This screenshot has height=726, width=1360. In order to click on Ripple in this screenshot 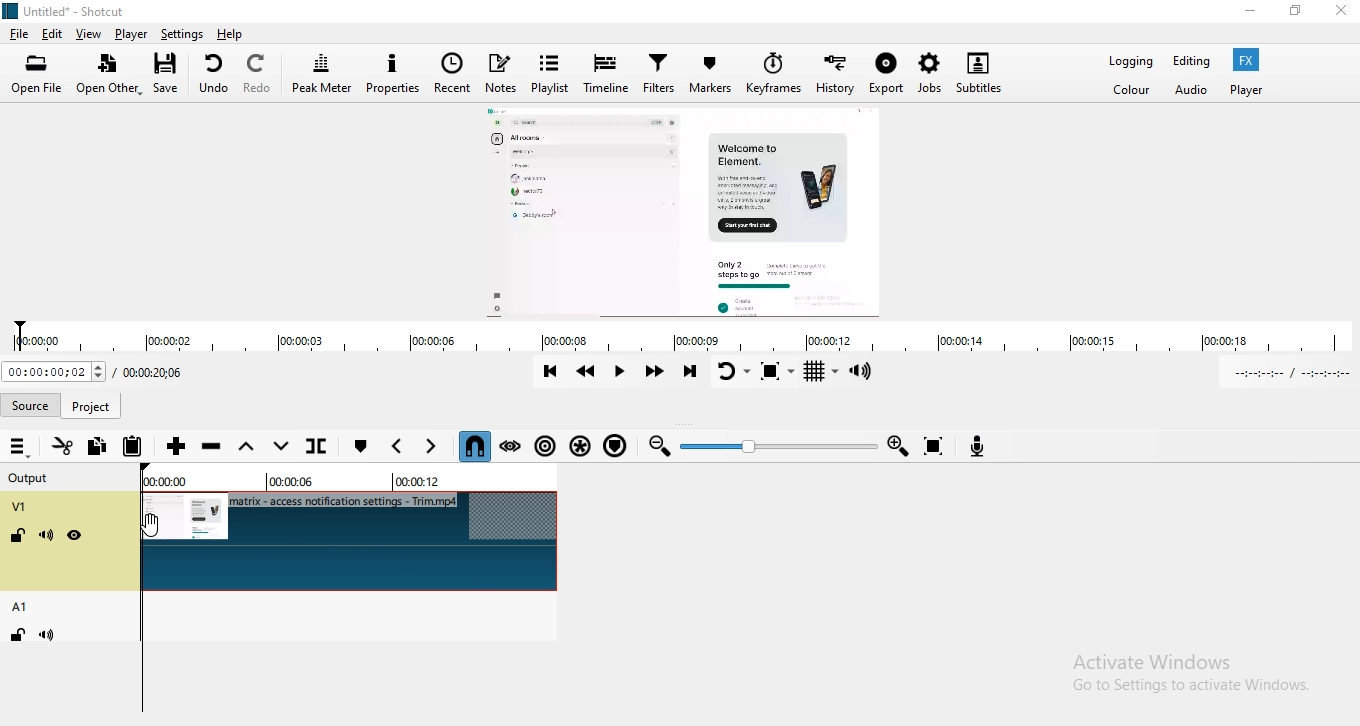, I will do `click(544, 443)`.